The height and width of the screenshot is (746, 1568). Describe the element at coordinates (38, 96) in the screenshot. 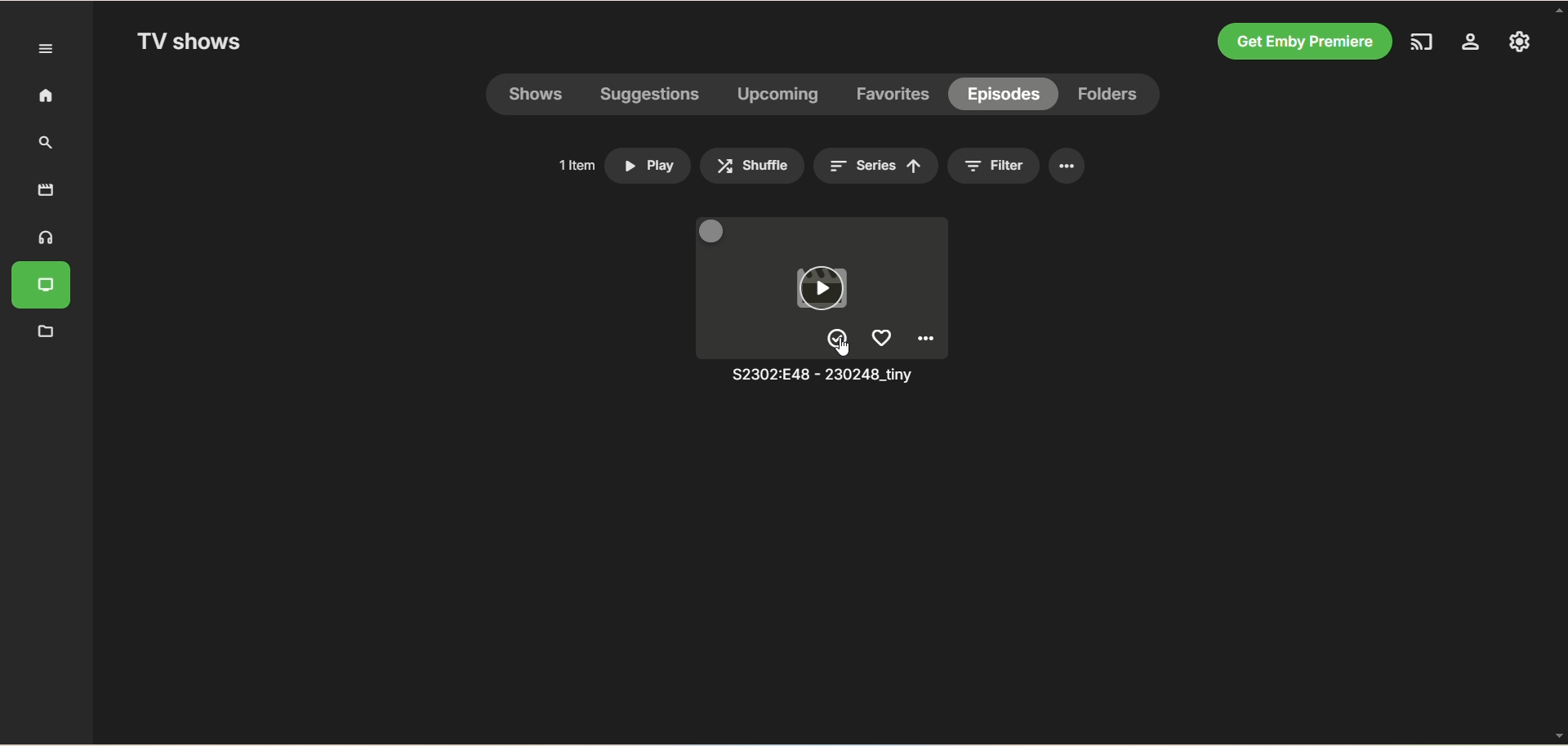

I see `home` at that location.